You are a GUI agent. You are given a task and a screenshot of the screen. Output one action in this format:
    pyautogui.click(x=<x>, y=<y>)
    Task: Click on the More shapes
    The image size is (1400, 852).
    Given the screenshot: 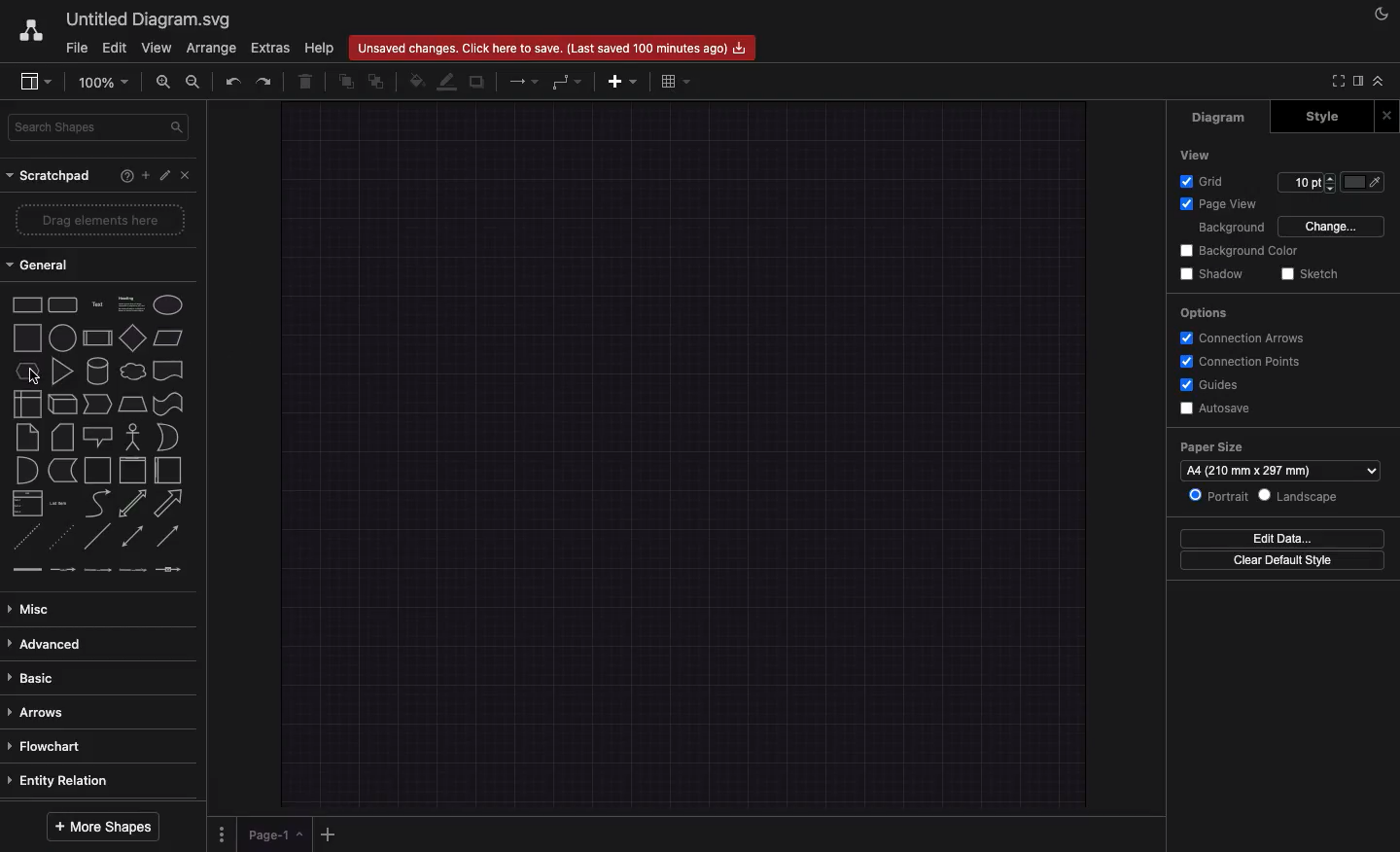 What is the action you would take?
    pyautogui.click(x=103, y=826)
    